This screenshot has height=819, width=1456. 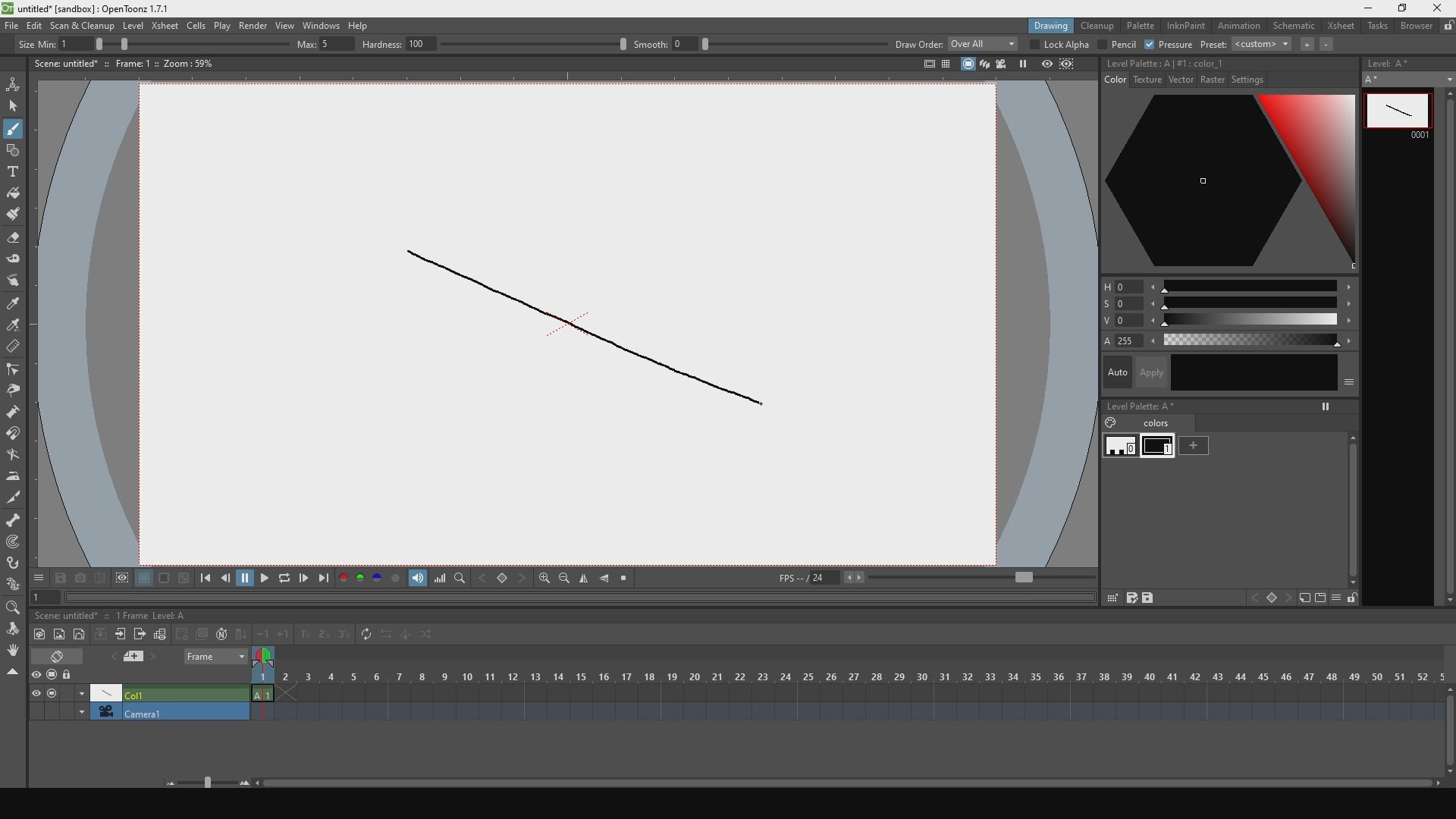 I want to click on maximize, so click(x=1402, y=9).